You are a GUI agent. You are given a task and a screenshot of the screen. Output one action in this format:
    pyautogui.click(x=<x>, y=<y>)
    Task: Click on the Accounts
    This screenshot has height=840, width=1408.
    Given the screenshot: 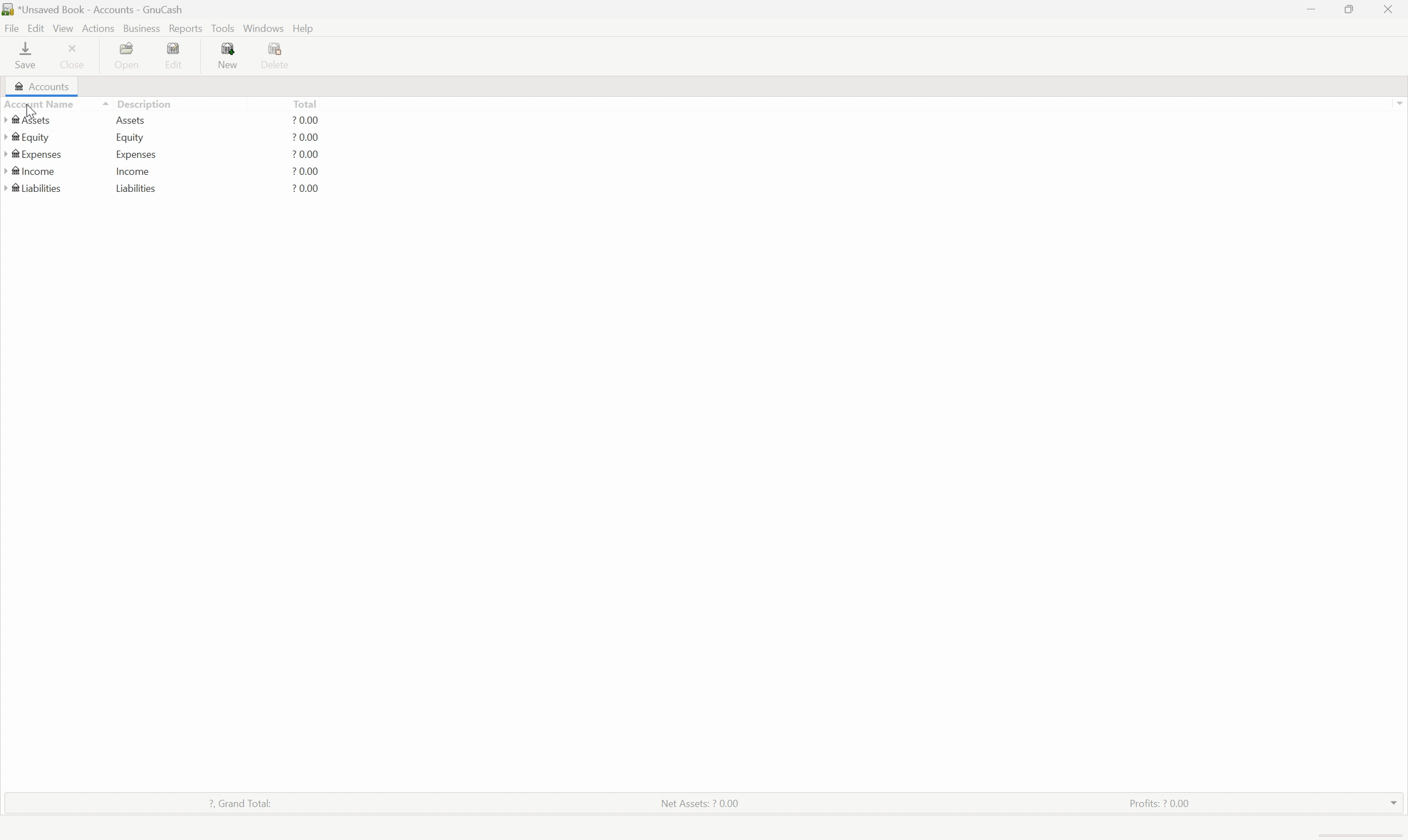 What is the action you would take?
    pyautogui.click(x=41, y=87)
    